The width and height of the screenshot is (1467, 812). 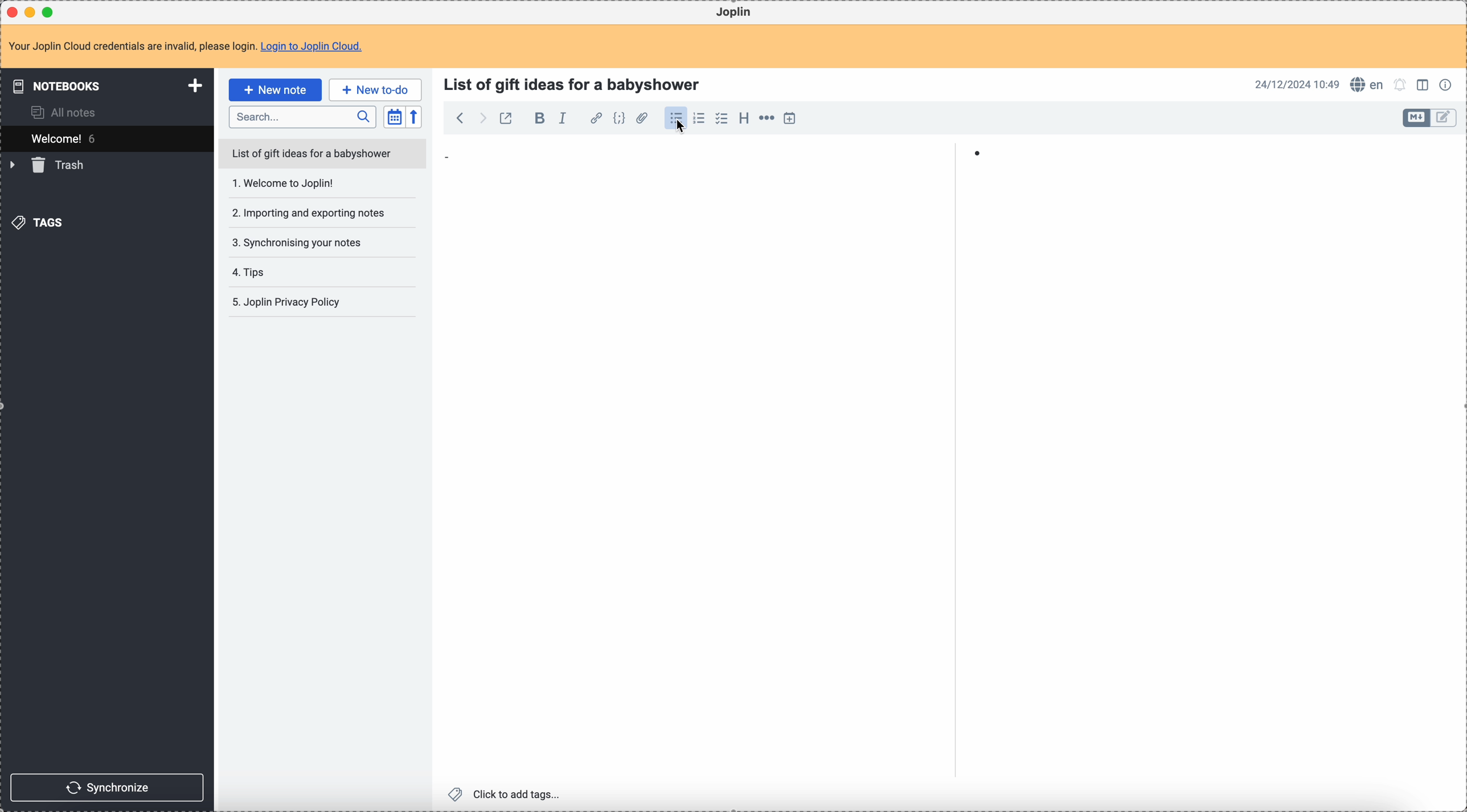 What do you see at coordinates (375, 89) in the screenshot?
I see `new to-do` at bounding box center [375, 89].